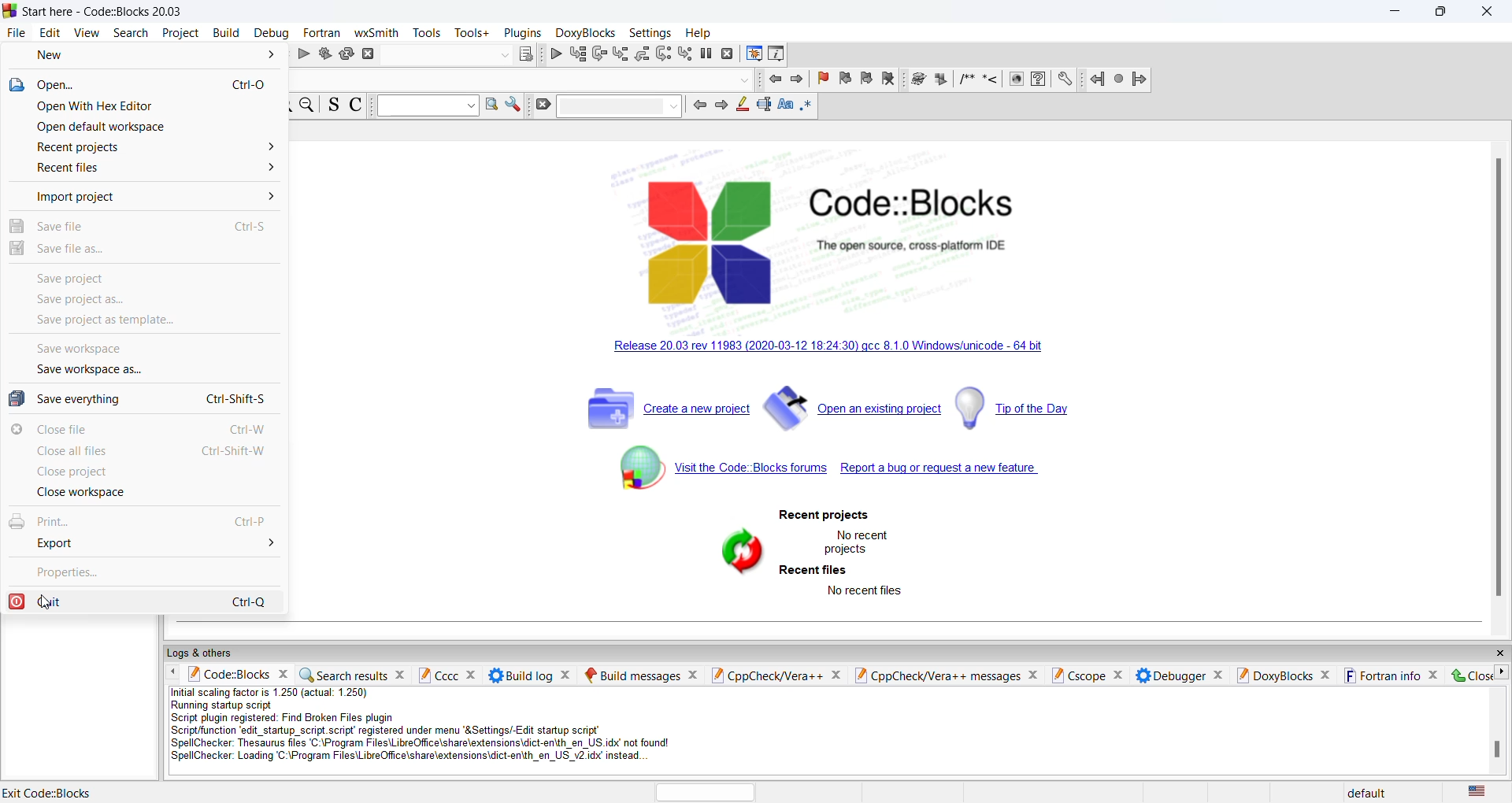 The height and width of the screenshot is (803, 1512). Describe the element at coordinates (1484, 791) in the screenshot. I see `text language` at that location.